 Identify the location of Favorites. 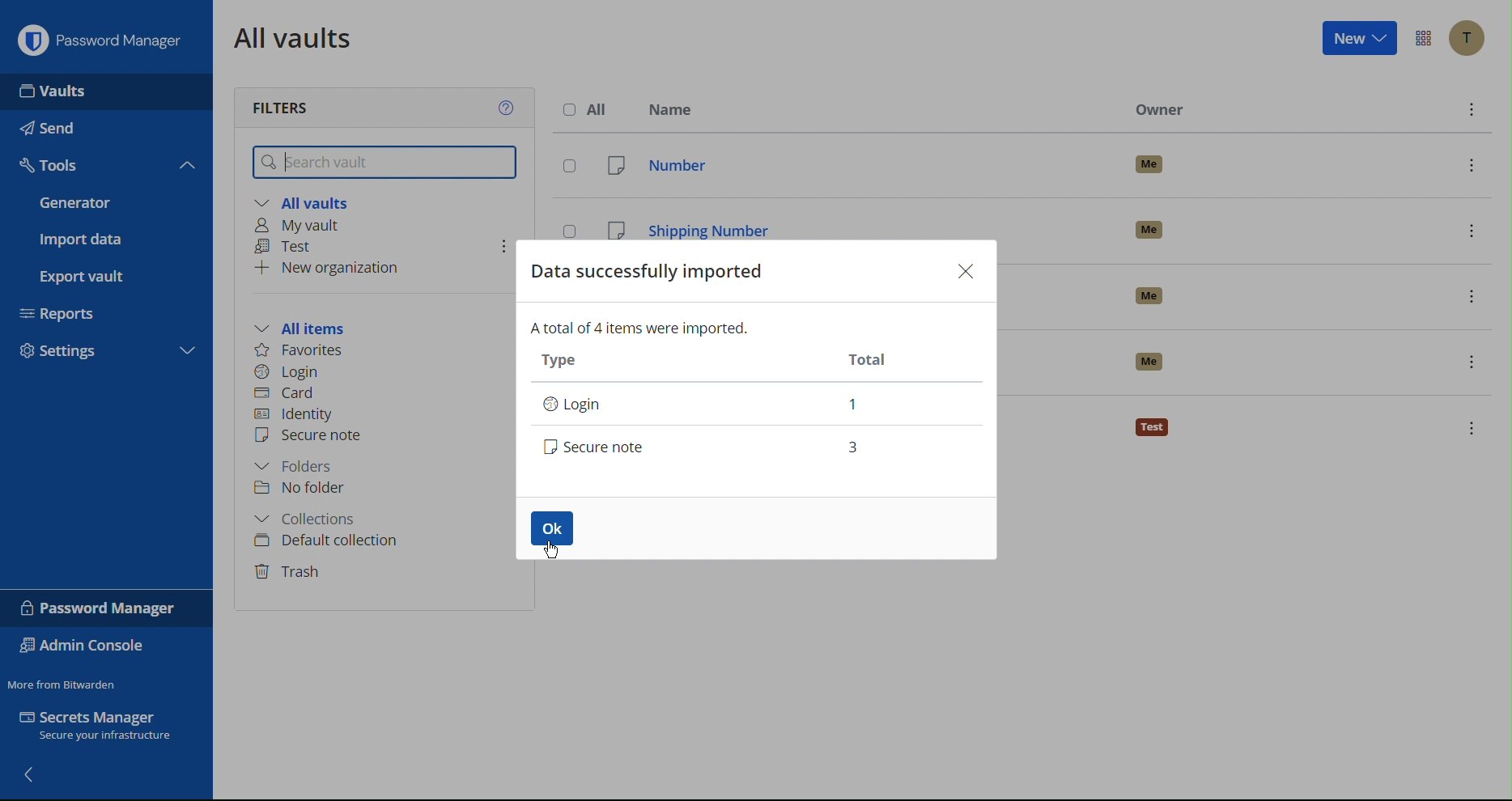
(303, 350).